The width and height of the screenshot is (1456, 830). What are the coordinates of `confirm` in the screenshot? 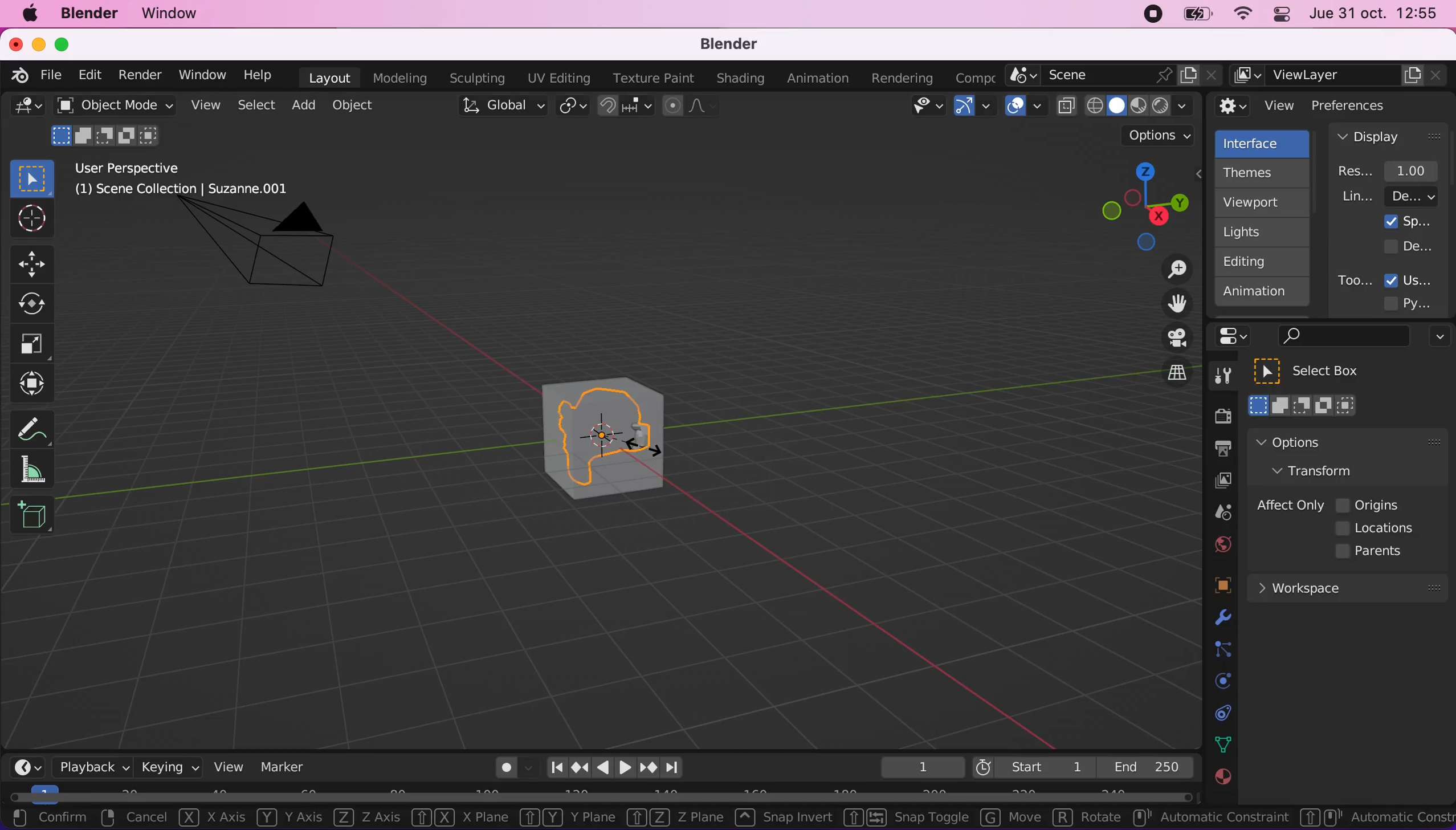 It's located at (48, 816).